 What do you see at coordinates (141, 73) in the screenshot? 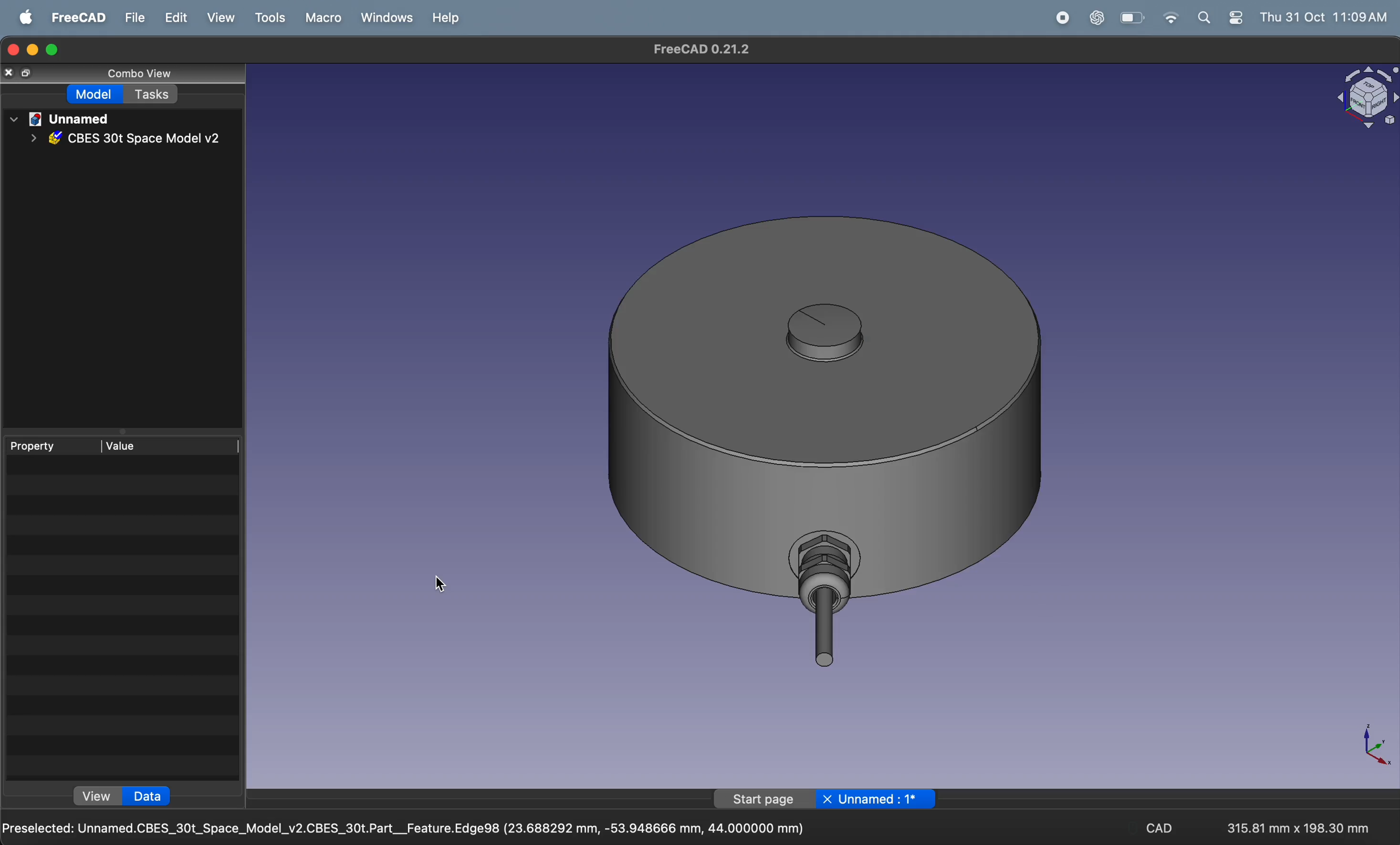
I see `combo view` at bounding box center [141, 73].